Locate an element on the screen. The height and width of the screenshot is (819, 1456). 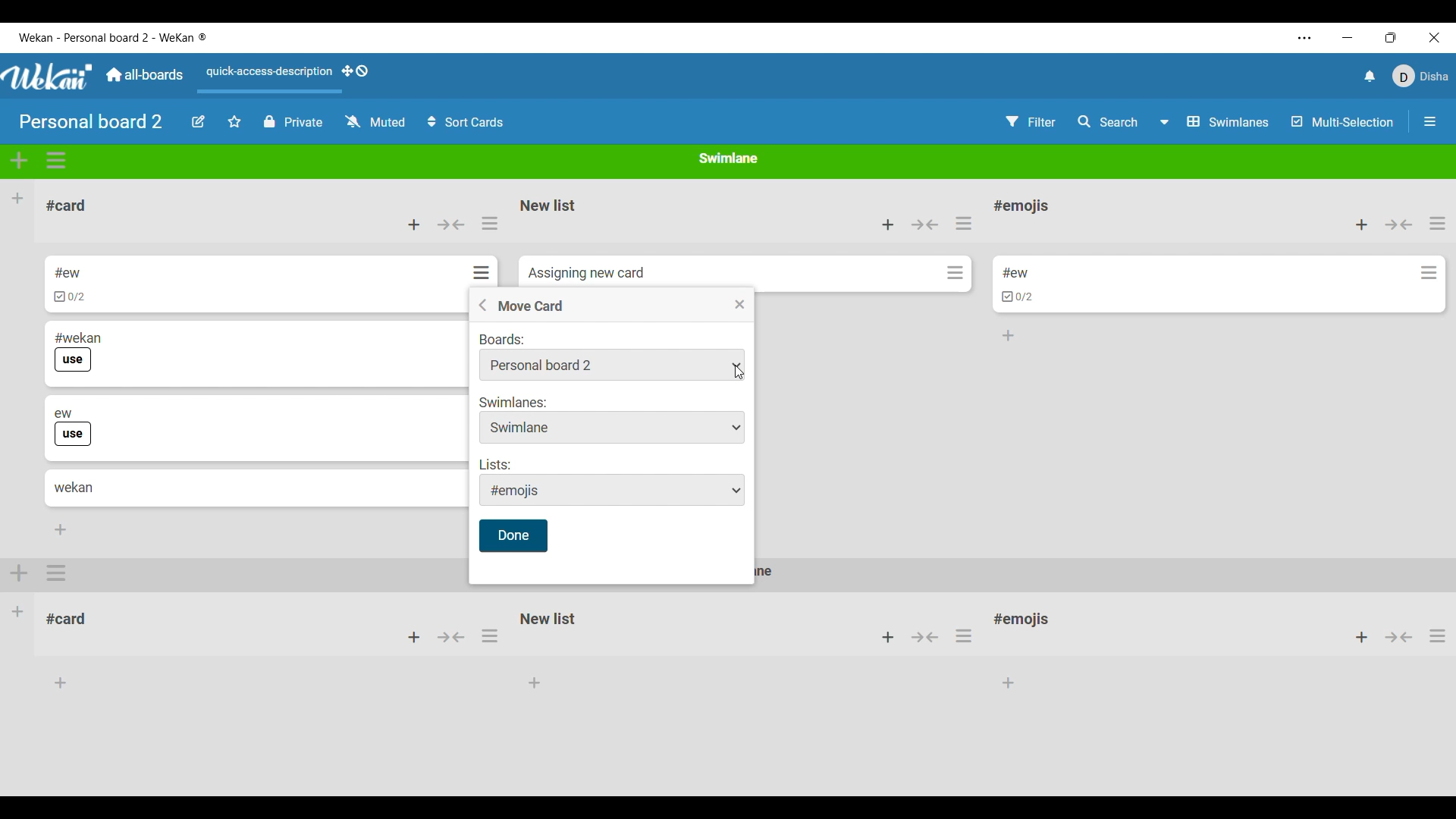
Current account is located at coordinates (1421, 76).